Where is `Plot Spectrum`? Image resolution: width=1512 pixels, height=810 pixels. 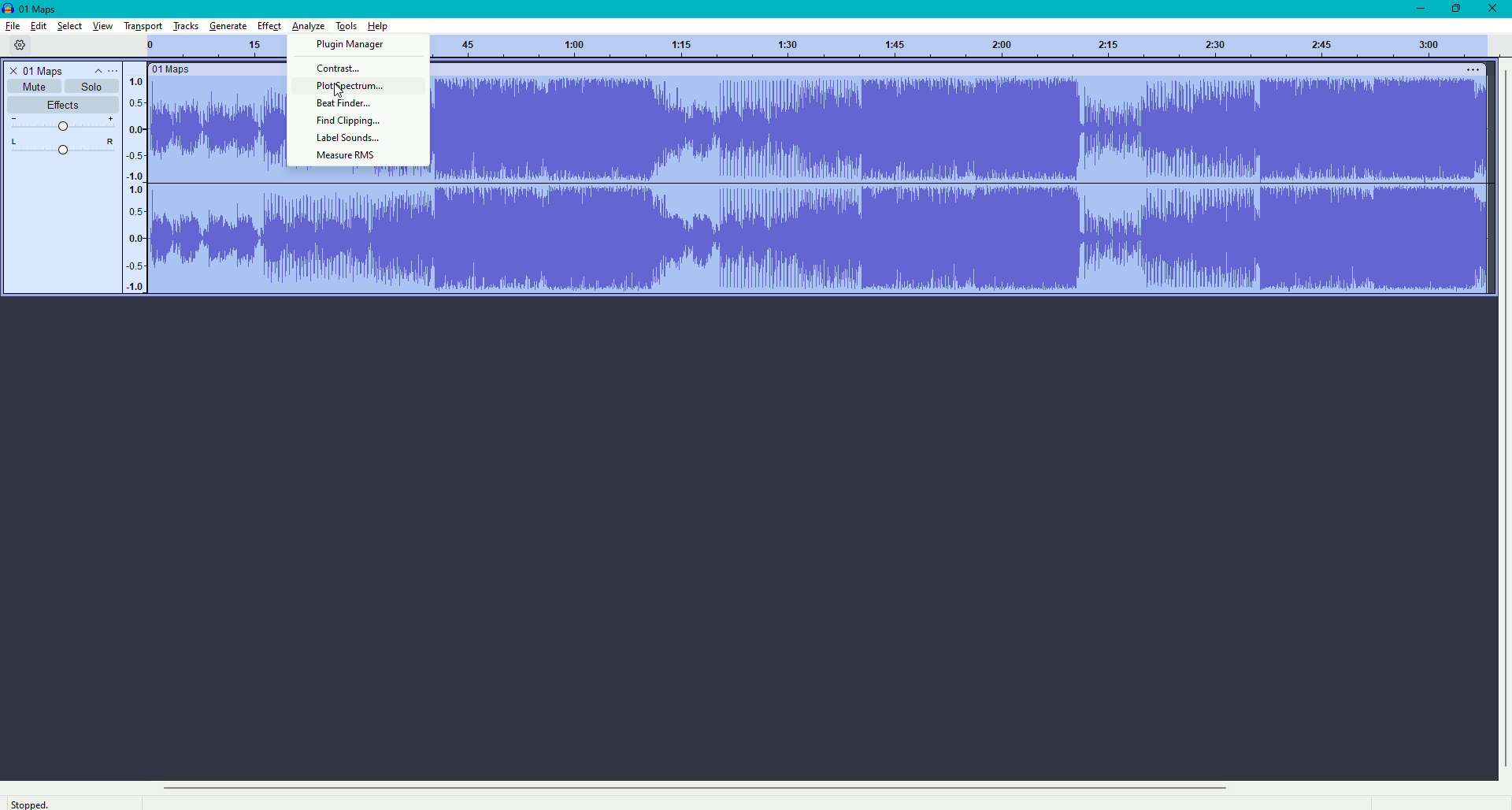 Plot Spectrum is located at coordinates (351, 86).